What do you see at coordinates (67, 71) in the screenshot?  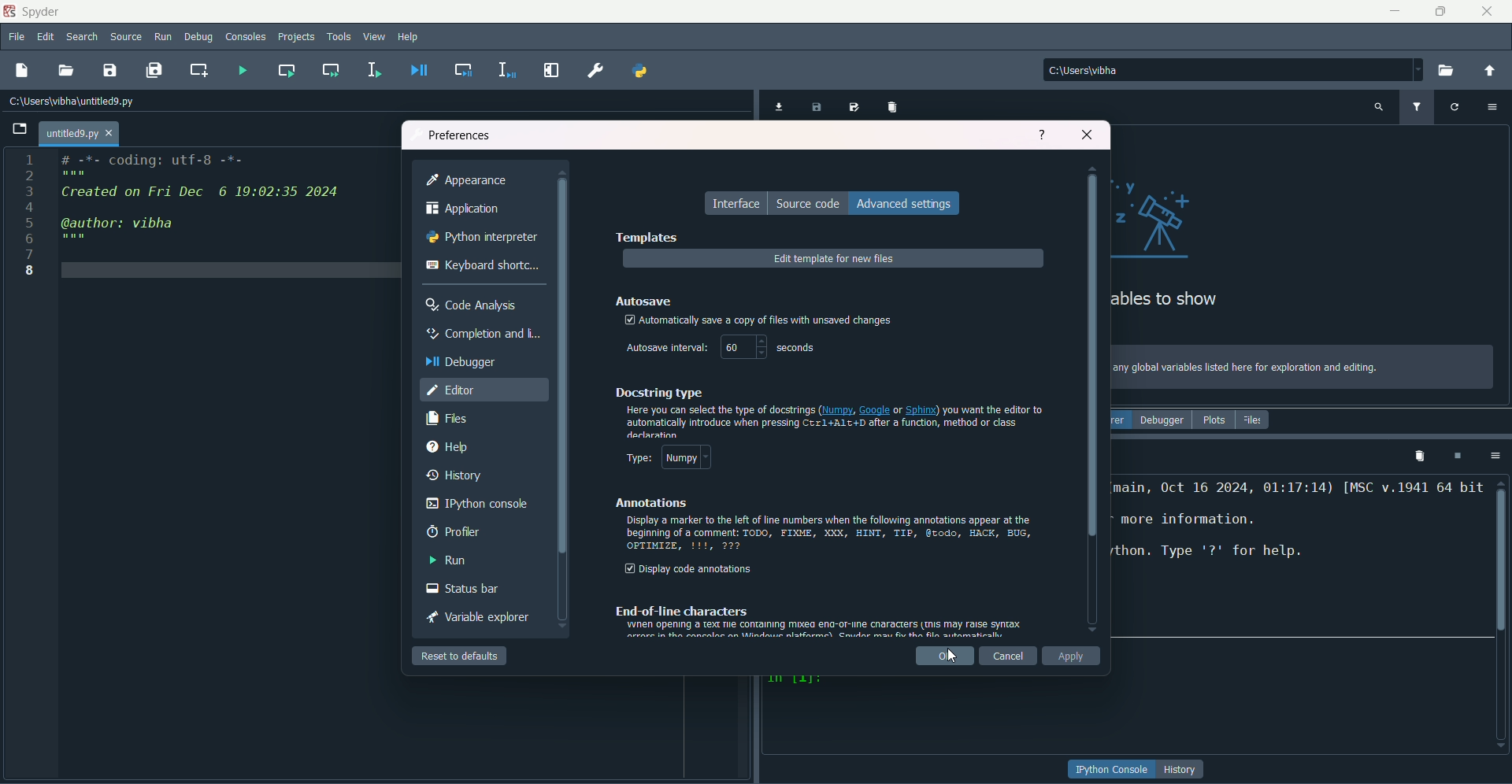 I see `open file` at bounding box center [67, 71].